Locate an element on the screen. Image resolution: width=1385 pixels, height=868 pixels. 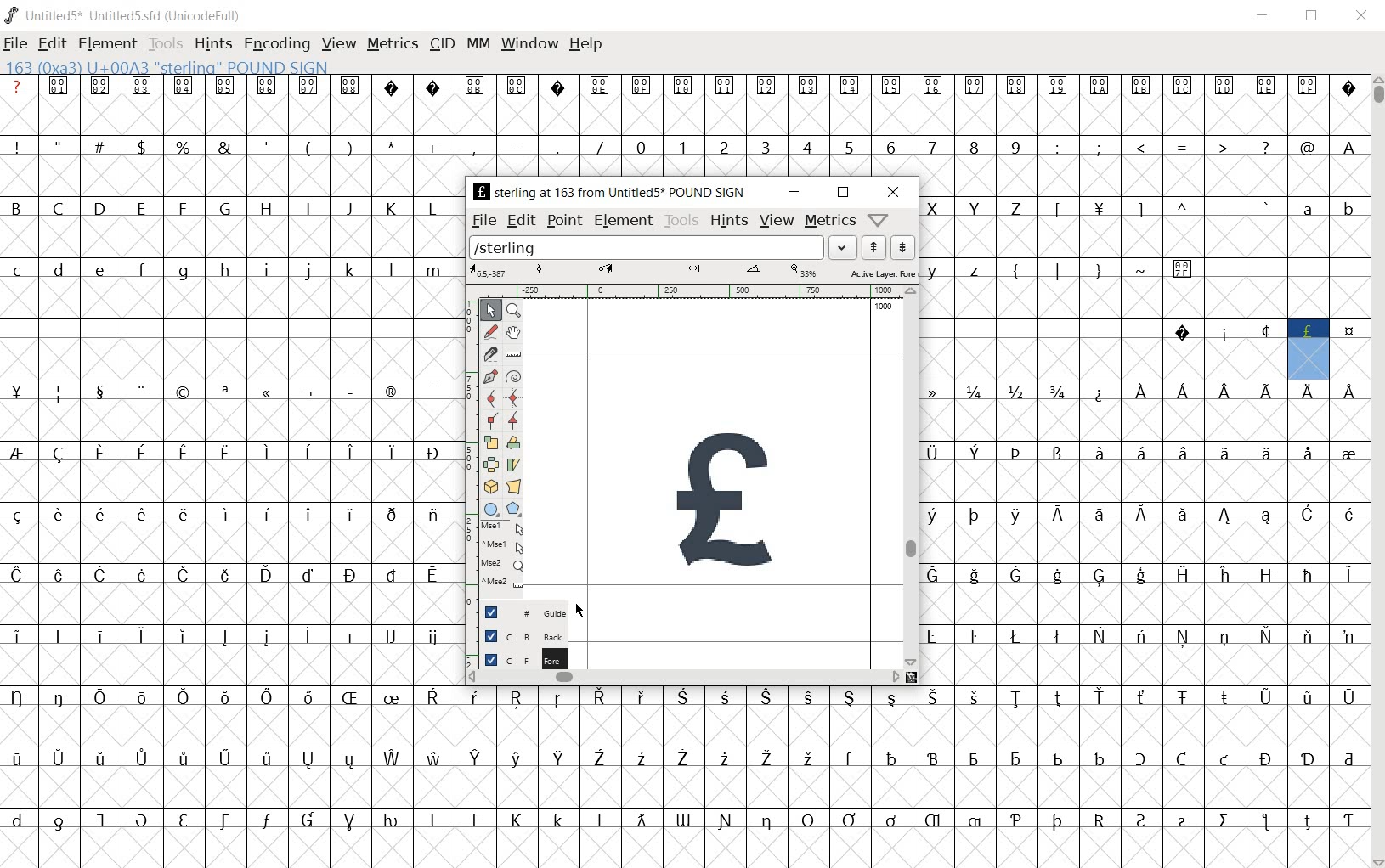
Symbol is located at coordinates (977, 454).